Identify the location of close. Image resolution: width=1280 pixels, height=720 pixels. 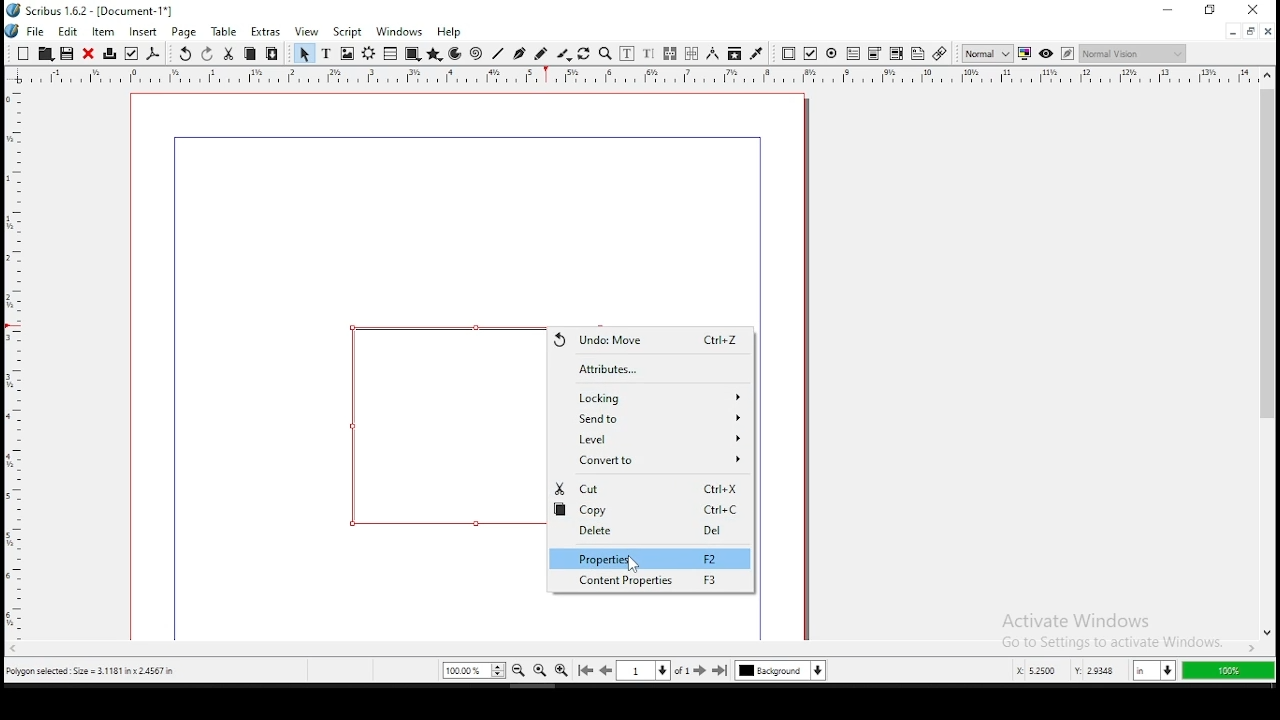
(1269, 32).